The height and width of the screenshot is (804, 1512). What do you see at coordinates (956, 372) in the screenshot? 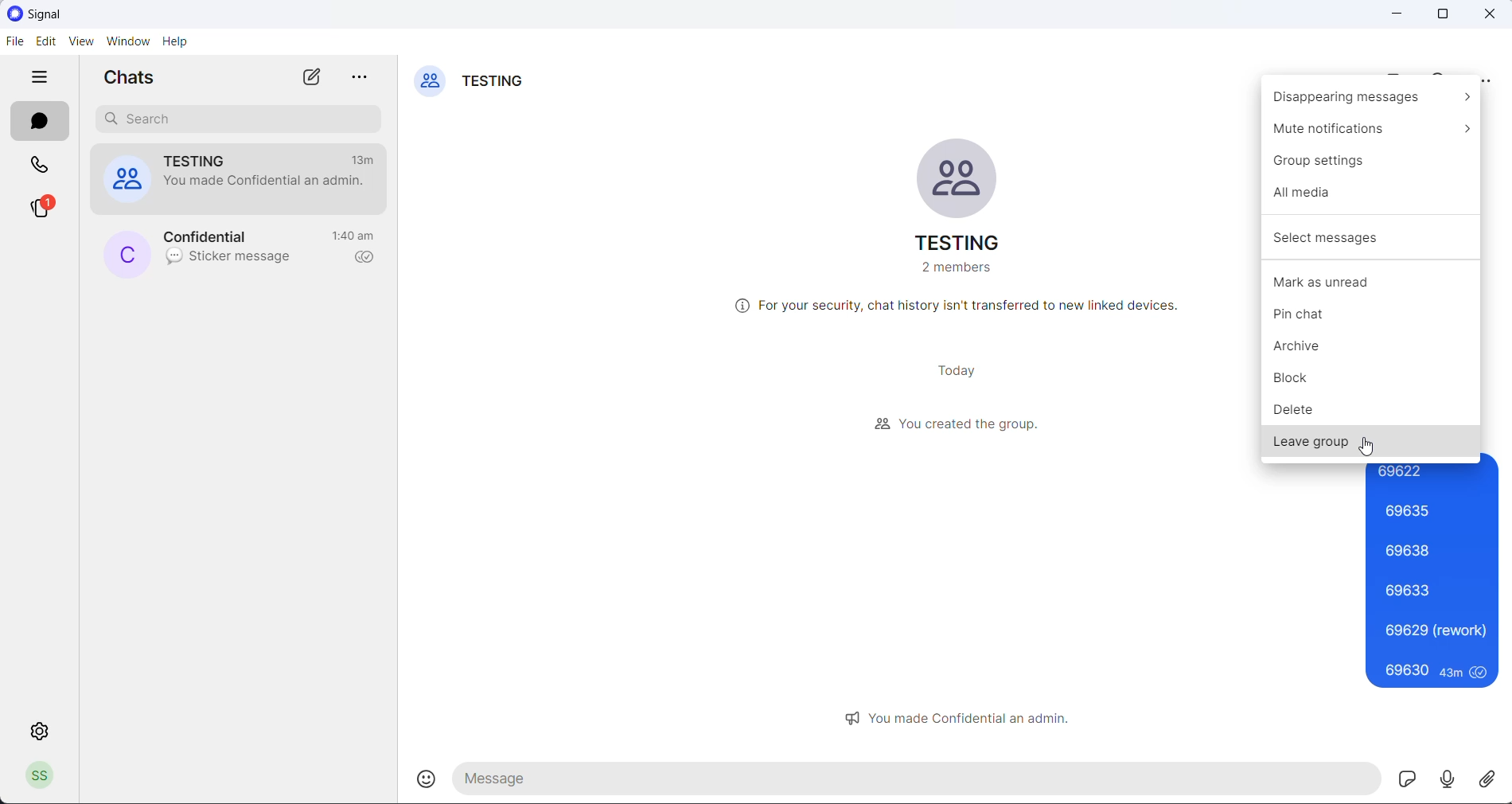
I see `today heading` at bounding box center [956, 372].